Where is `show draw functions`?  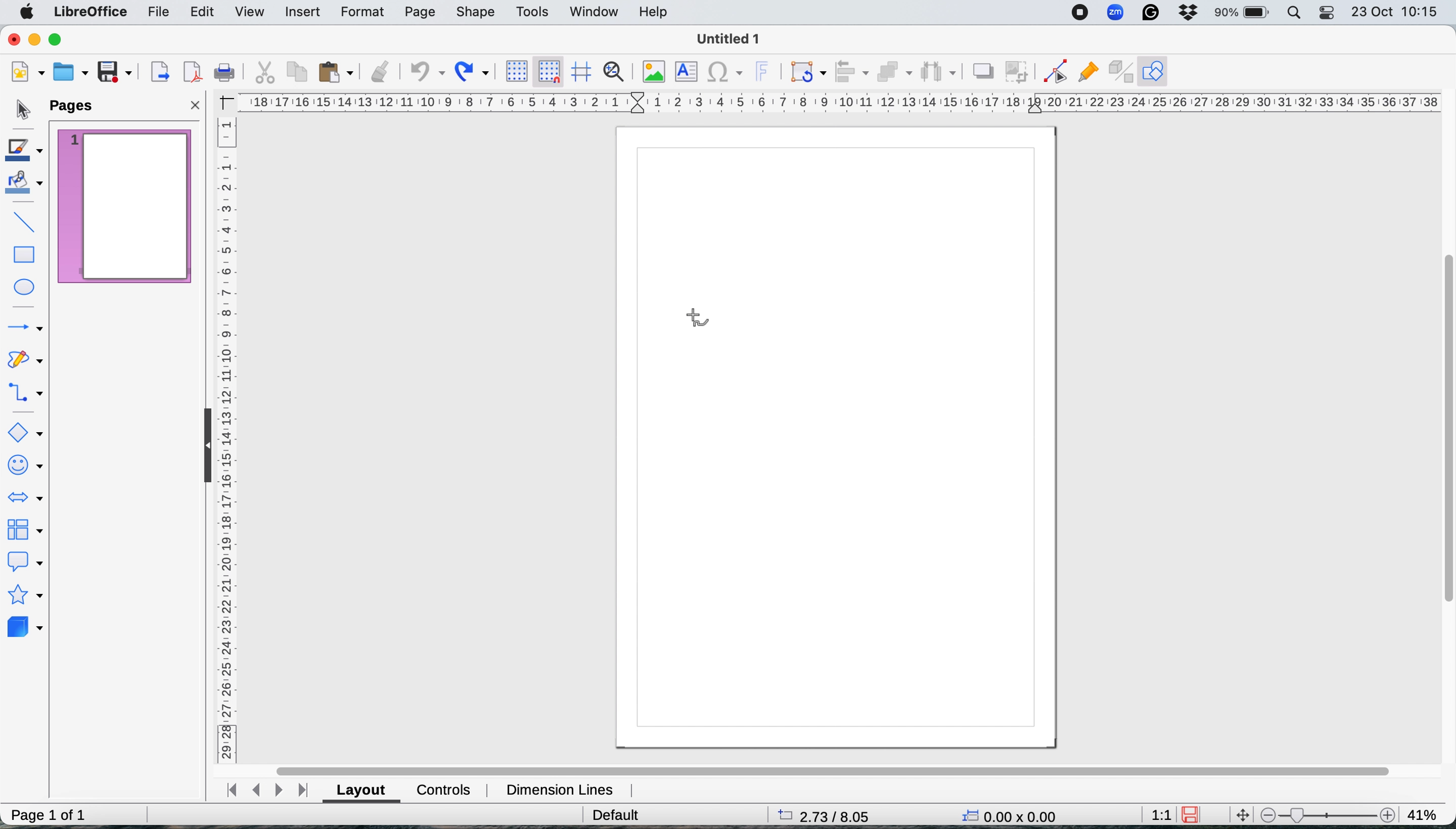 show draw functions is located at coordinates (1153, 72).